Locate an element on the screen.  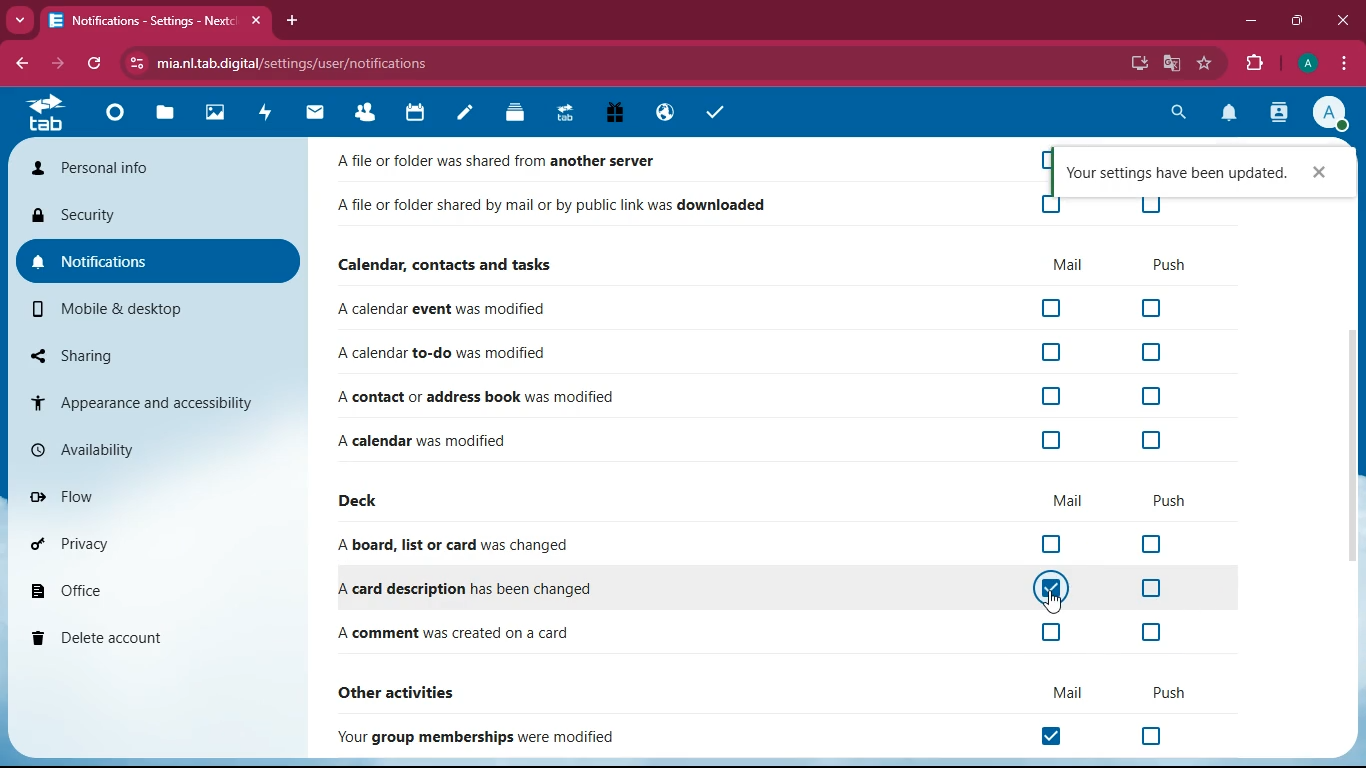
A contact or address book was modified is located at coordinates (475, 396).